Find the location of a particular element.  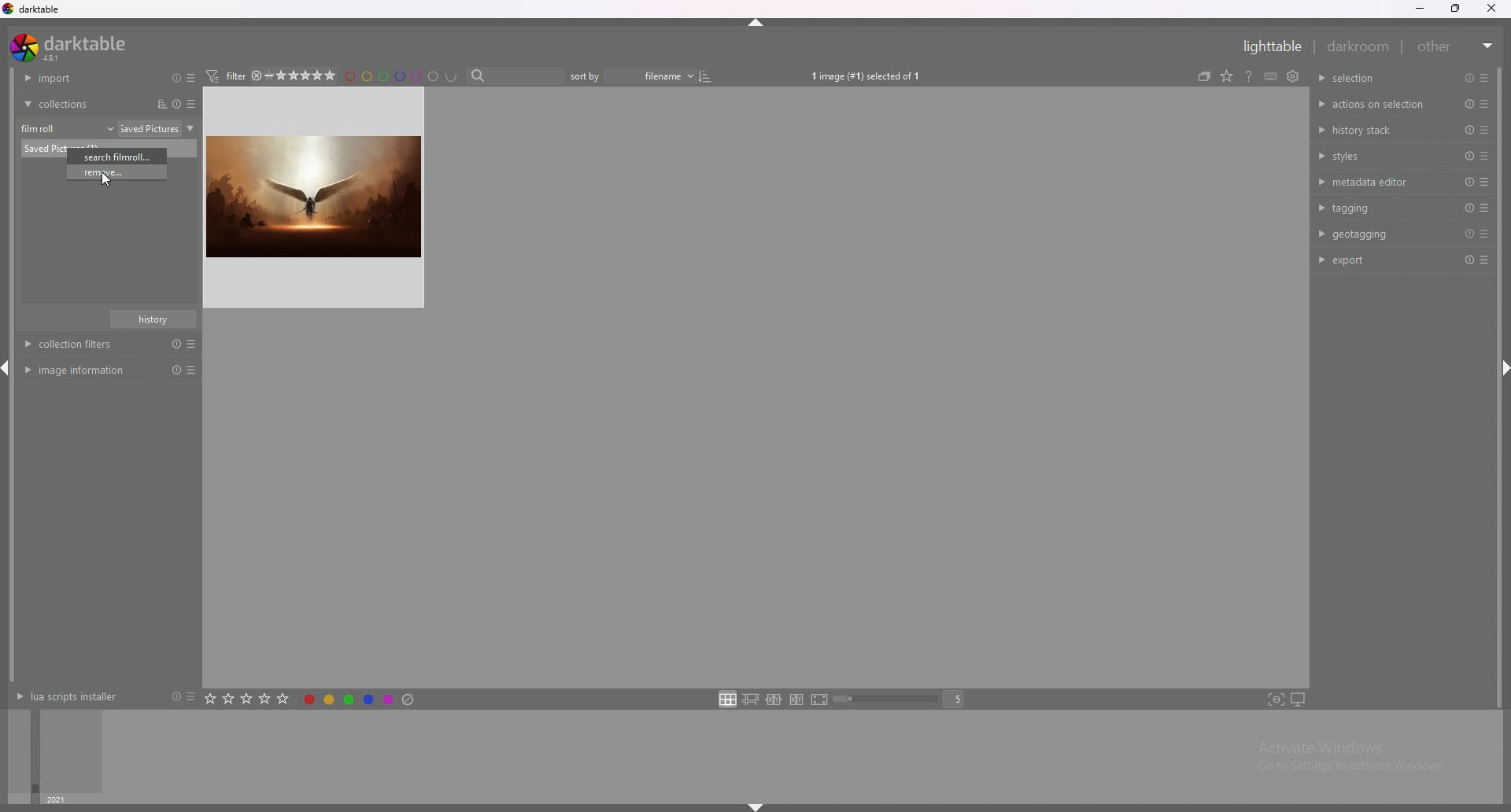

reset is located at coordinates (1469, 78).